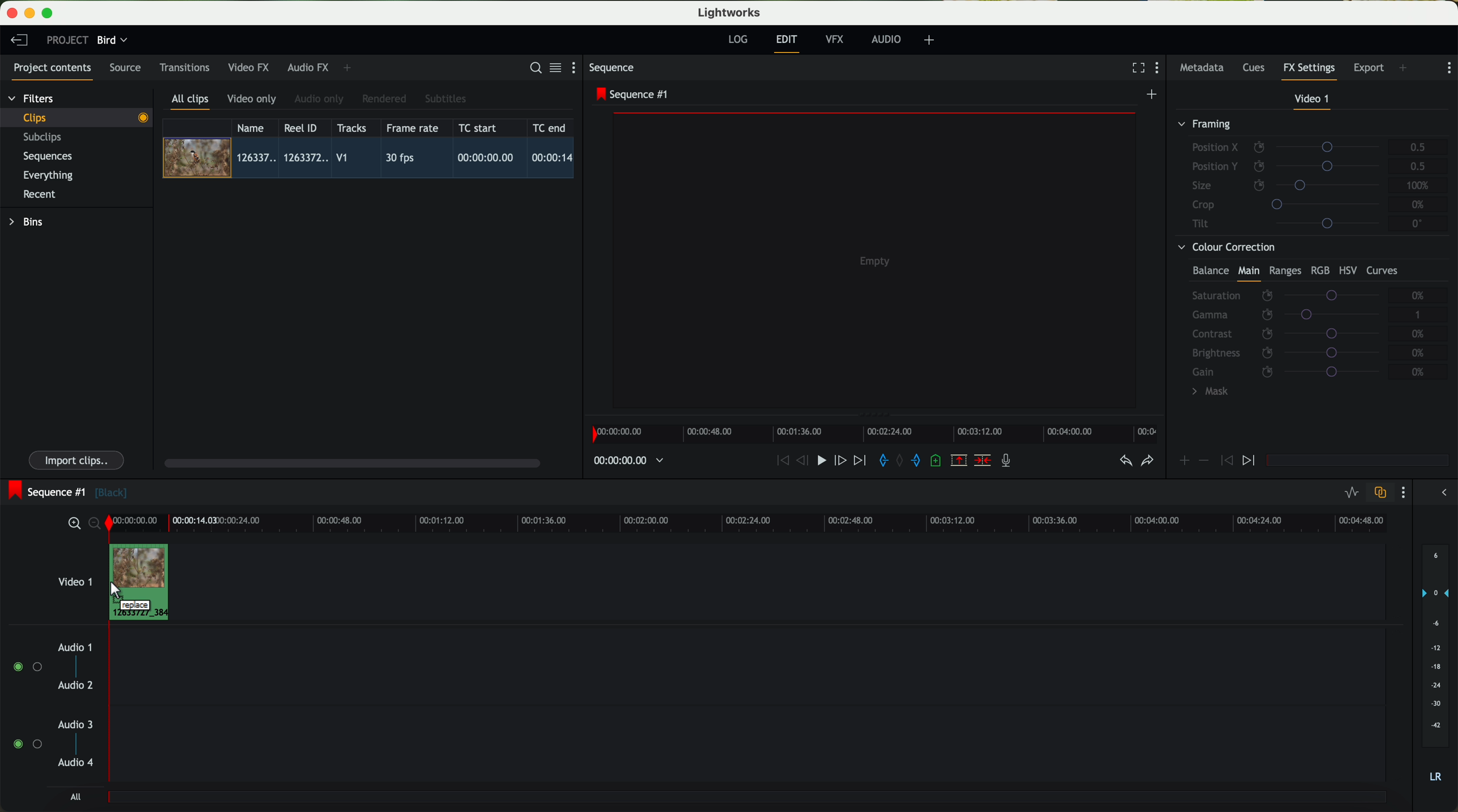  What do you see at coordinates (32, 98) in the screenshot?
I see `filters` at bounding box center [32, 98].